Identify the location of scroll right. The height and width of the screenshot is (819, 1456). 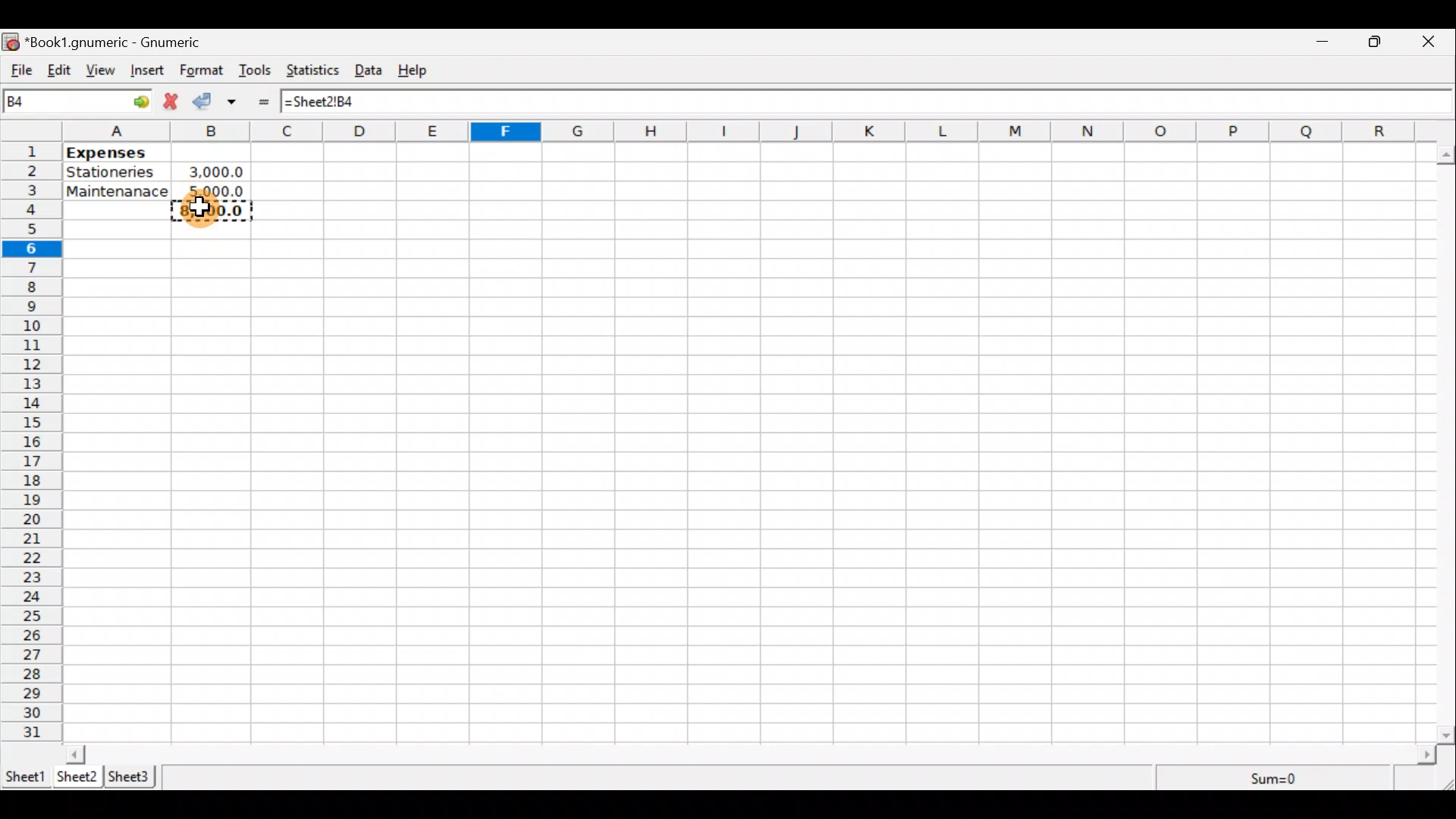
(1426, 755).